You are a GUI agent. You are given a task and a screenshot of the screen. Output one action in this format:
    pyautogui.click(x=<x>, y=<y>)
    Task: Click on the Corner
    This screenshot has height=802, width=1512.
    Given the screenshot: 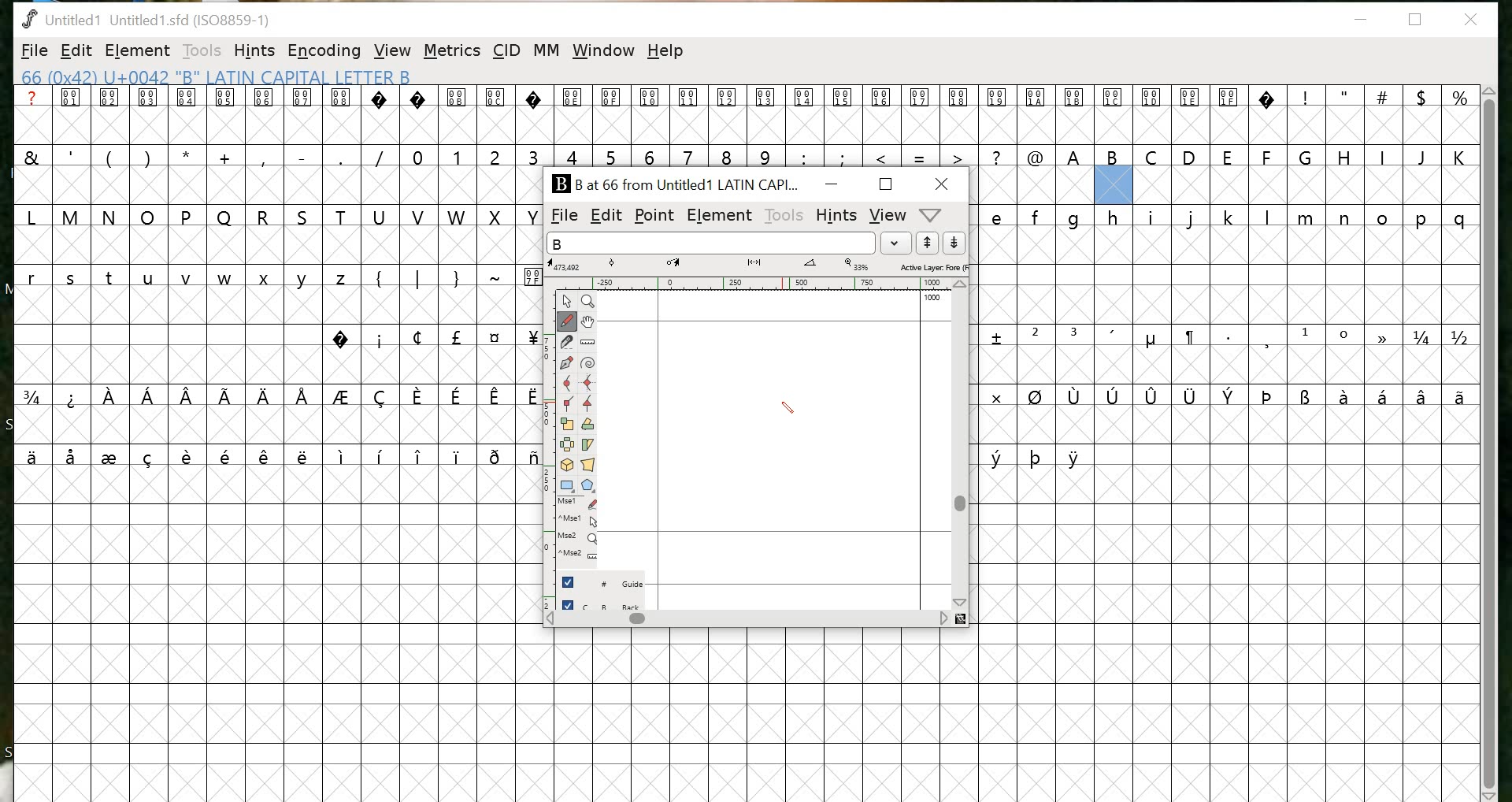 What is the action you would take?
    pyautogui.click(x=569, y=406)
    